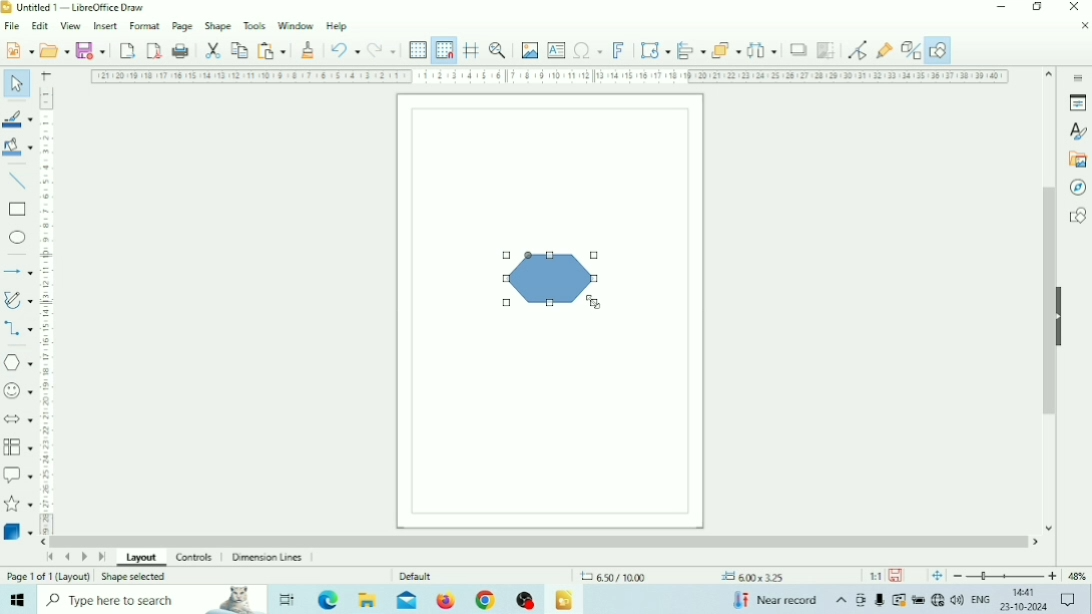  I want to click on Controls, so click(196, 558).